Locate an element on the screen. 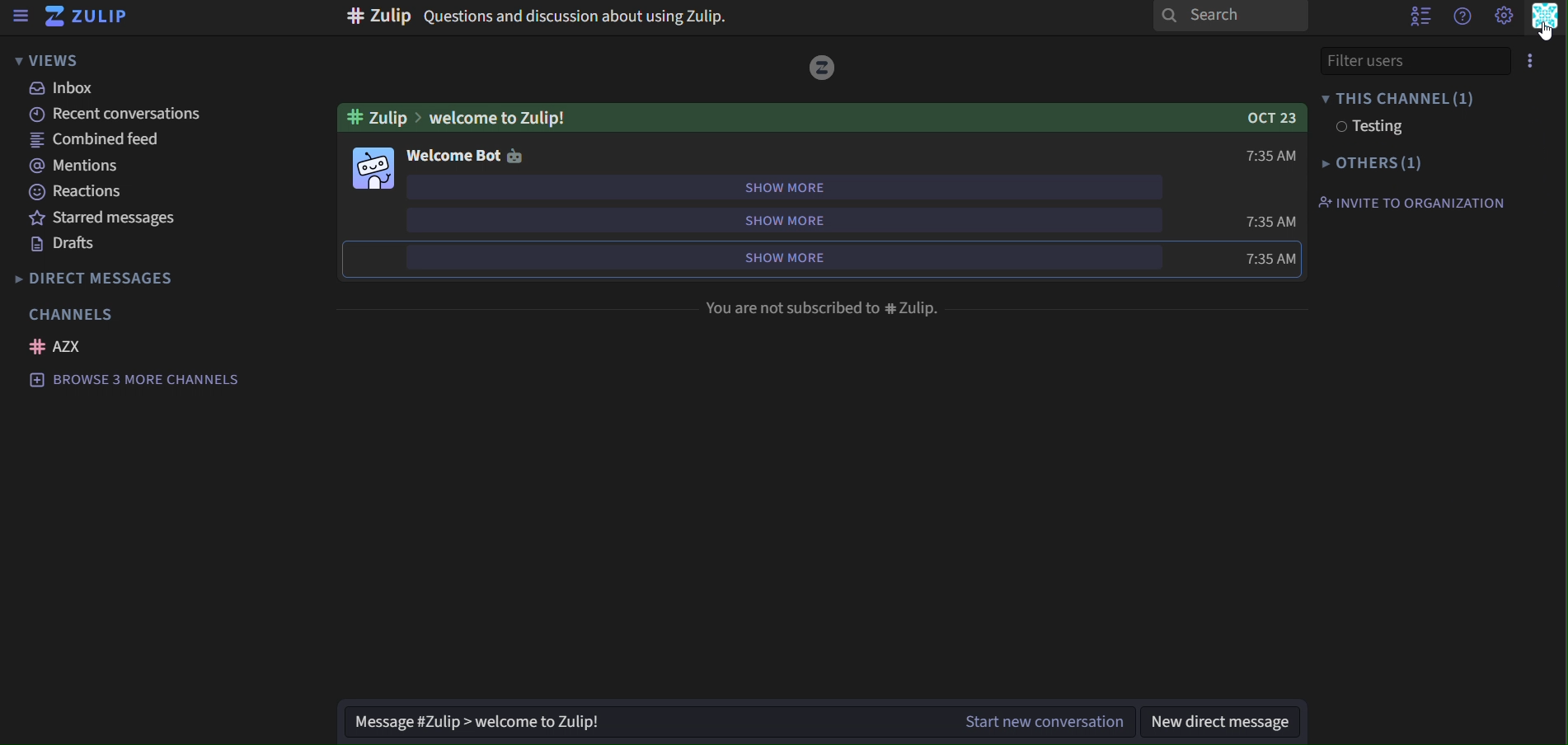 The image size is (1568, 745). Welcome To Zulip is located at coordinates (500, 115).